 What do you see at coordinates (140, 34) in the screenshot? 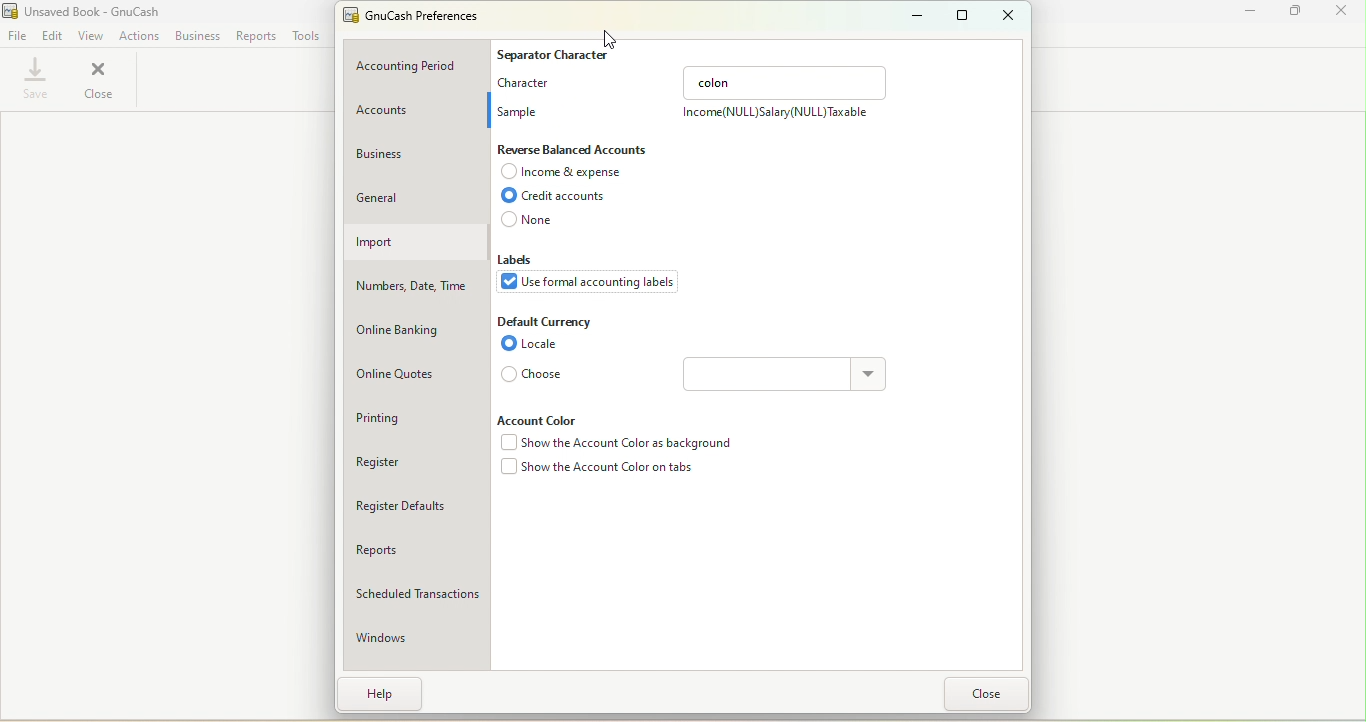
I see `Actions` at bounding box center [140, 34].